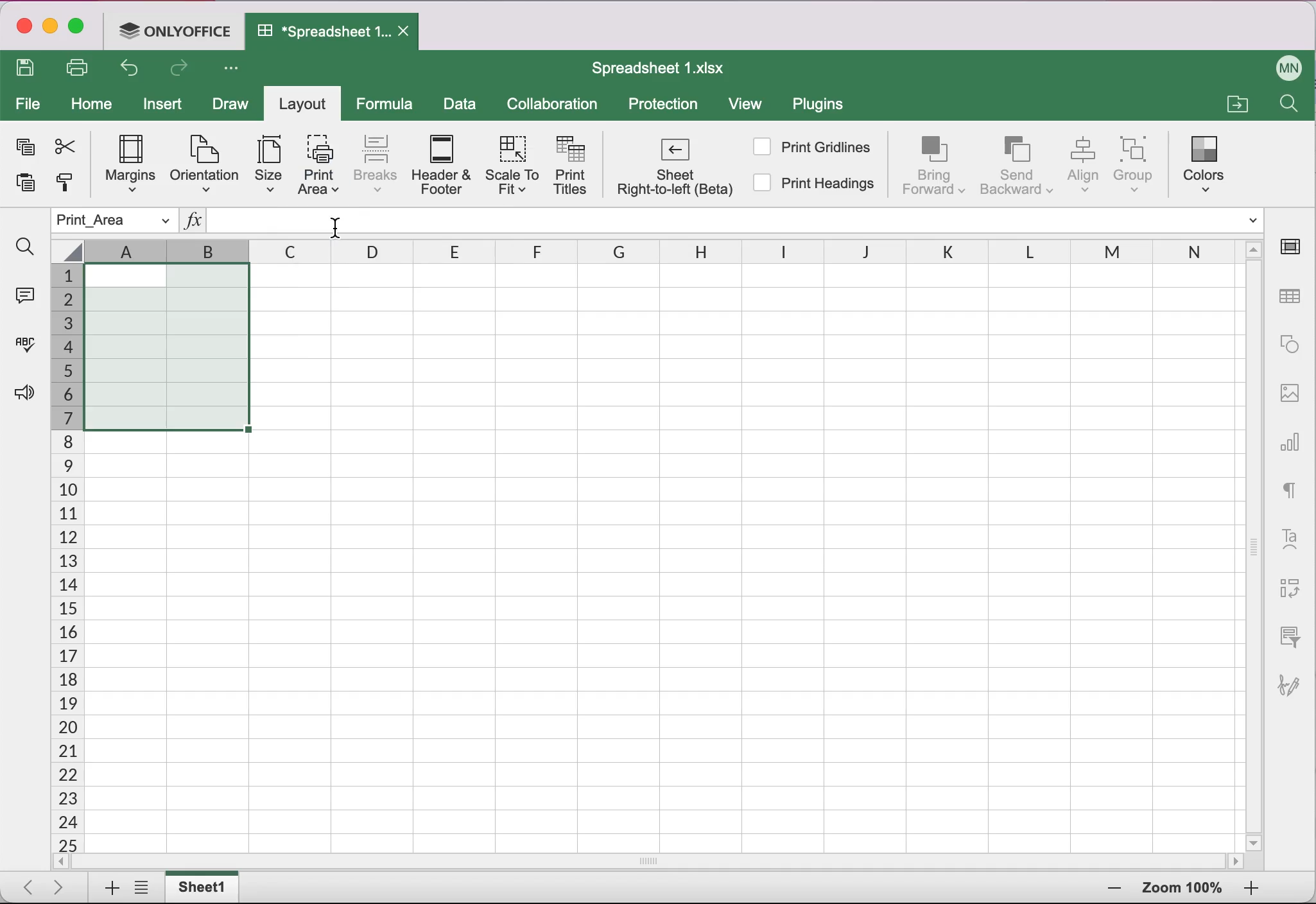 The width and height of the screenshot is (1316, 904). Describe the element at coordinates (21, 187) in the screenshot. I see `paste` at that location.